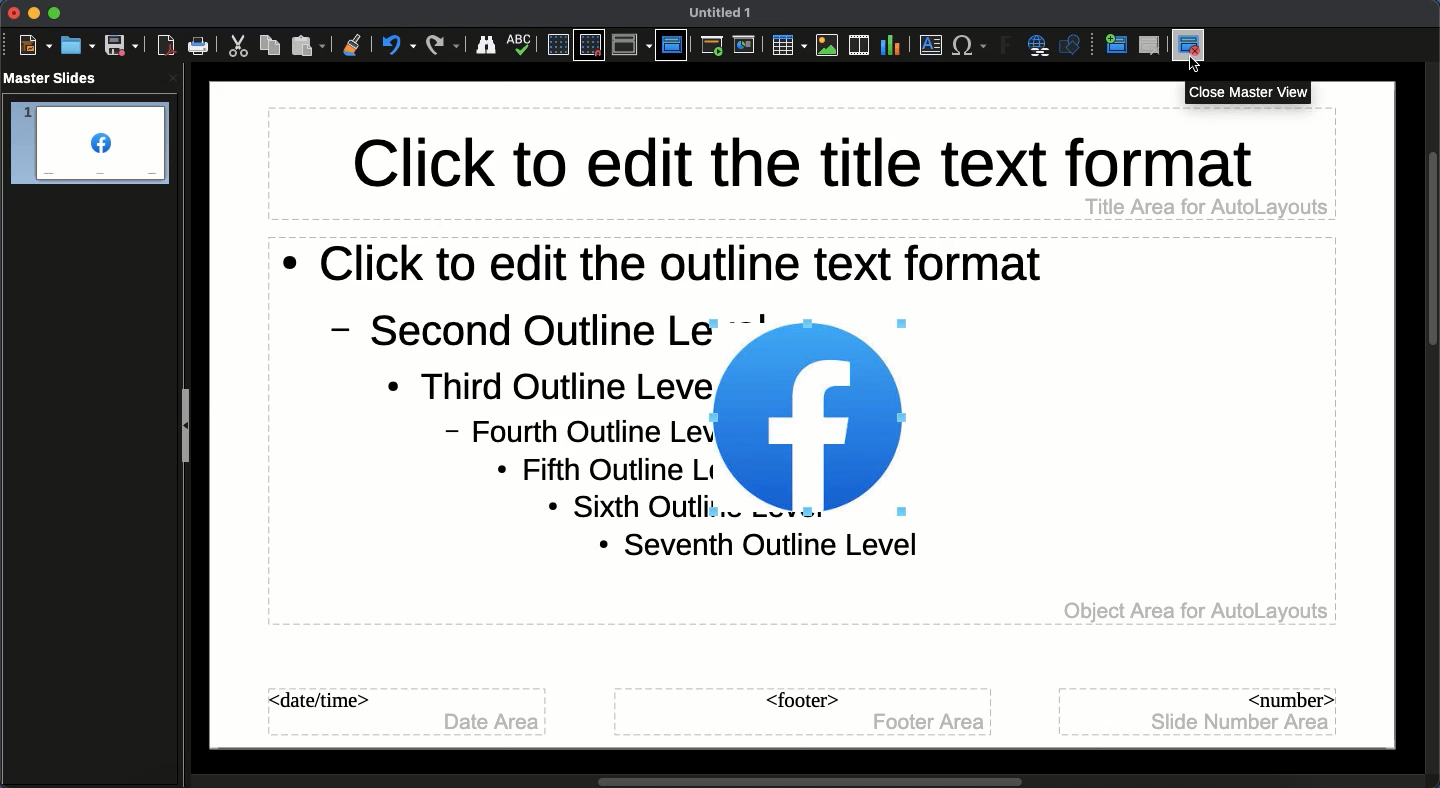 Image resolution: width=1440 pixels, height=788 pixels. I want to click on Finder, so click(485, 44).